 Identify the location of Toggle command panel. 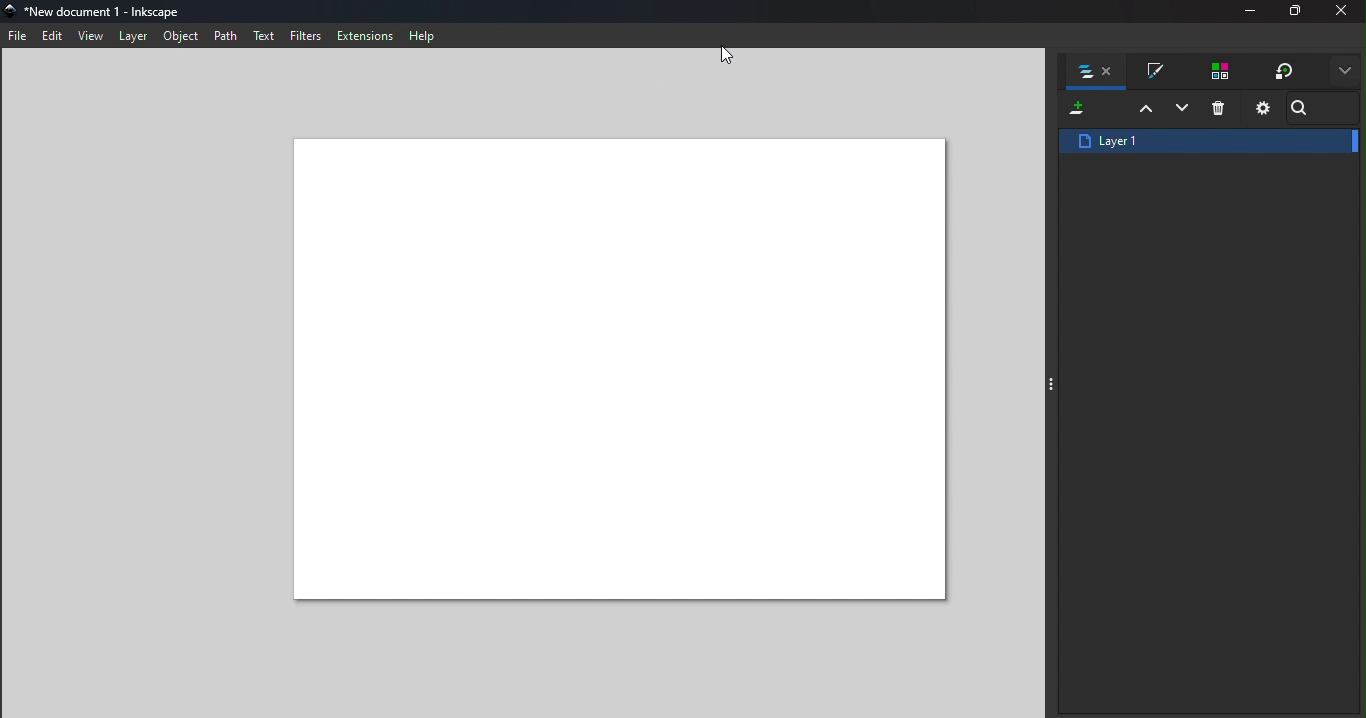
(1055, 383).